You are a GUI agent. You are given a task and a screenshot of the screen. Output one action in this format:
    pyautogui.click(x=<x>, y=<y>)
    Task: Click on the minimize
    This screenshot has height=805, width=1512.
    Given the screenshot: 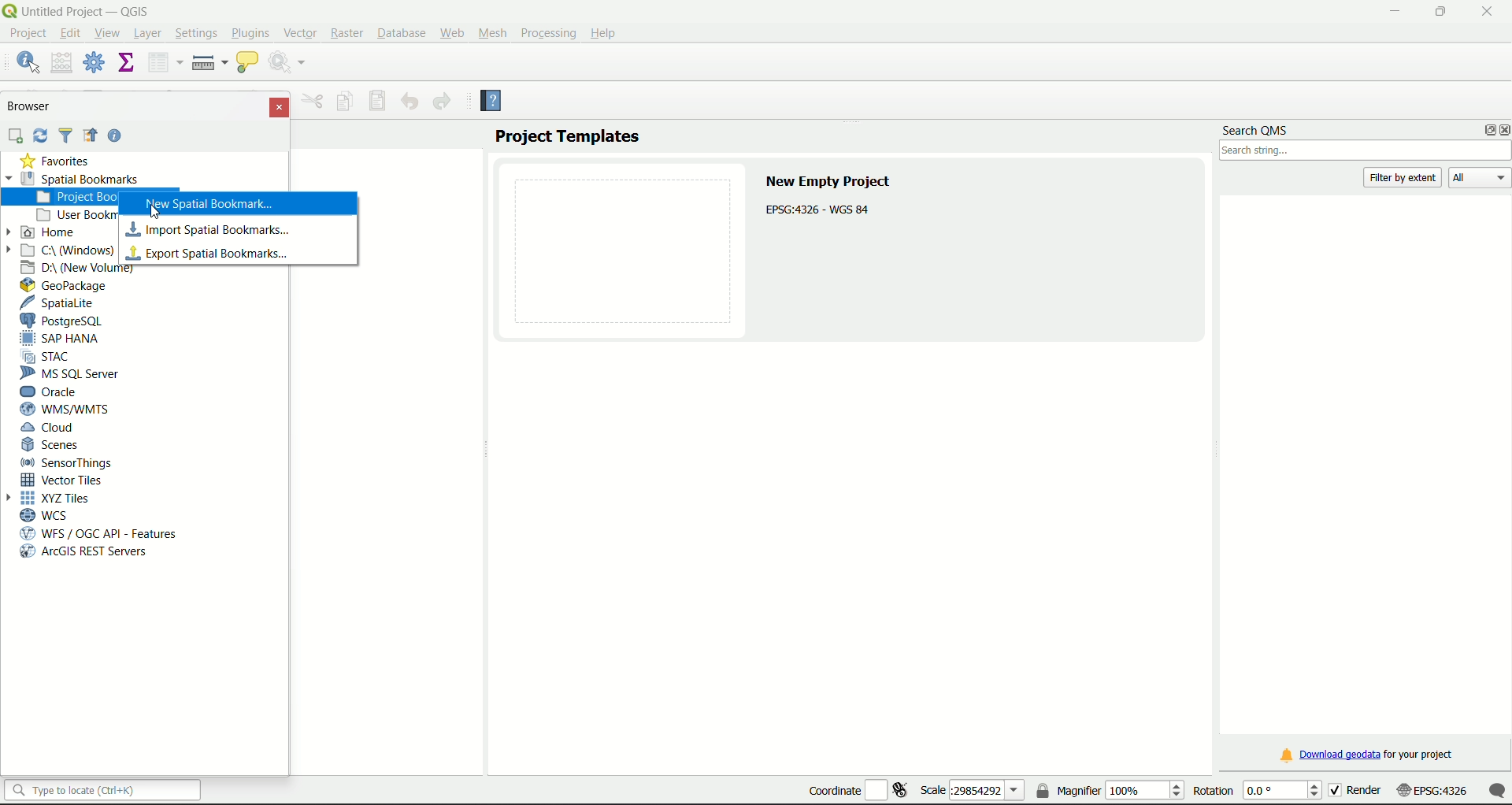 What is the action you would take?
    pyautogui.click(x=1392, y=12)
    